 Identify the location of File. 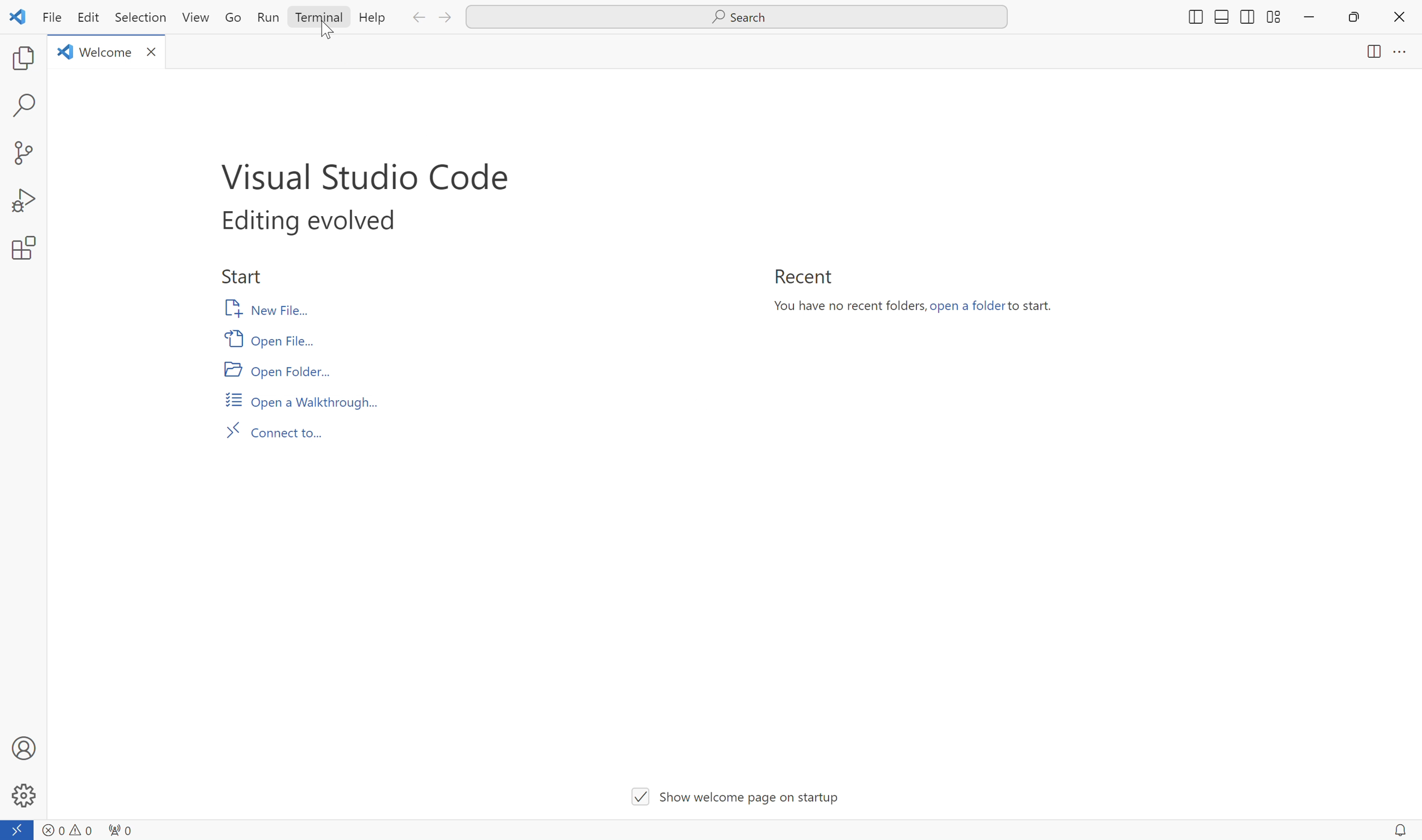
(49, 18).